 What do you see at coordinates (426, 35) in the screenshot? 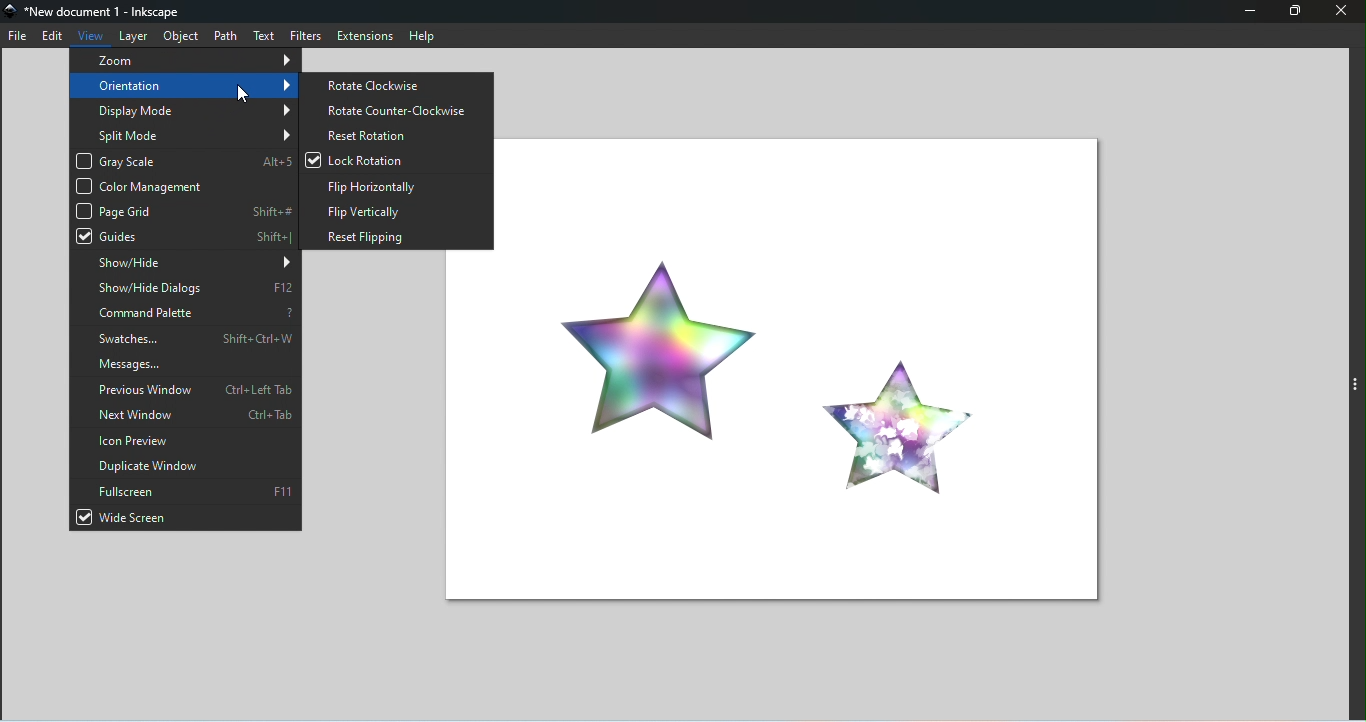
I see `Help` at bounding box center [426, 35].